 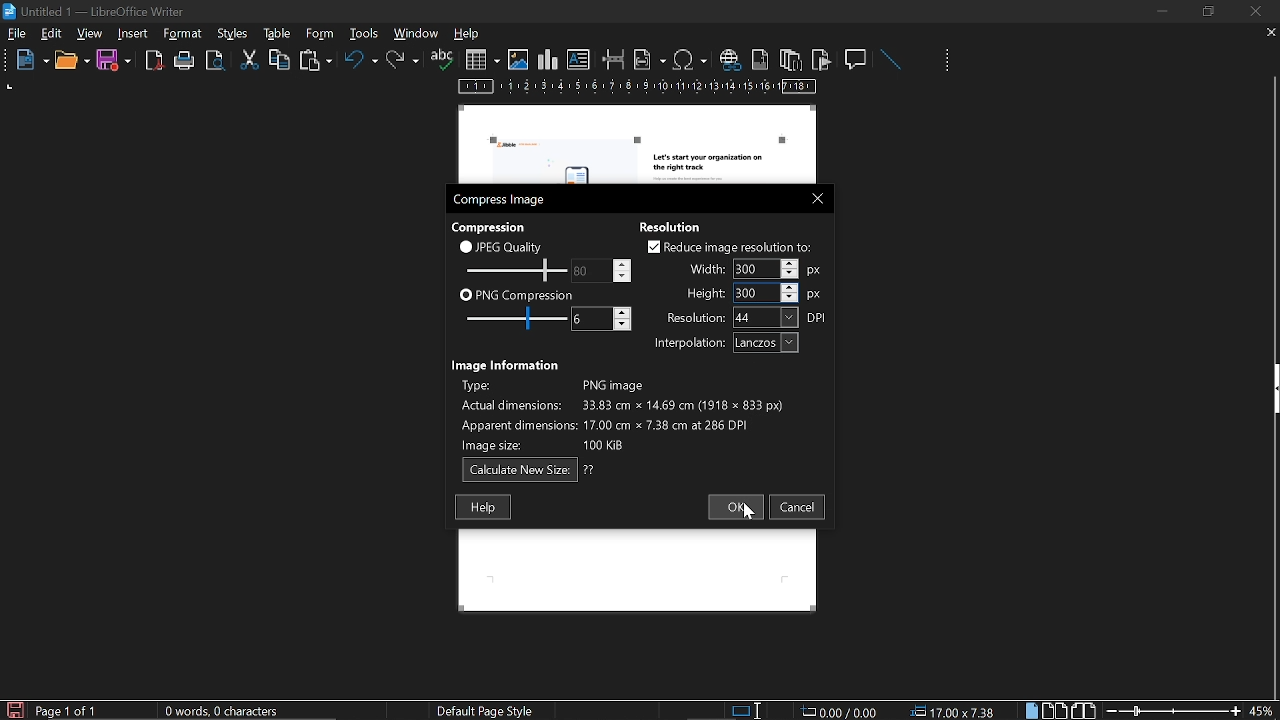 I want to click on open, so click(x=71, y=61).